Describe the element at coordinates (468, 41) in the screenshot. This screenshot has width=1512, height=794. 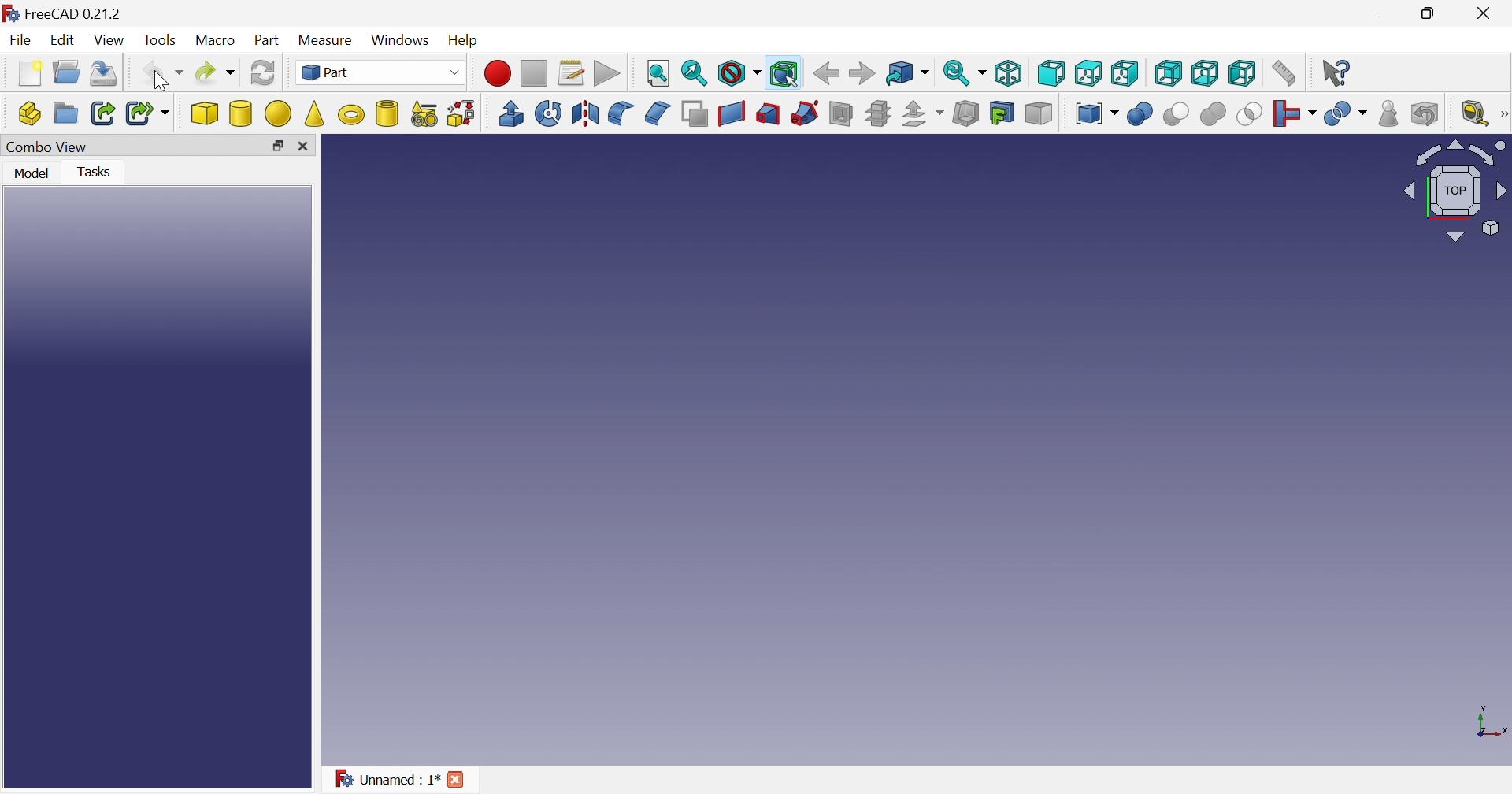
I see `Help` at that location.